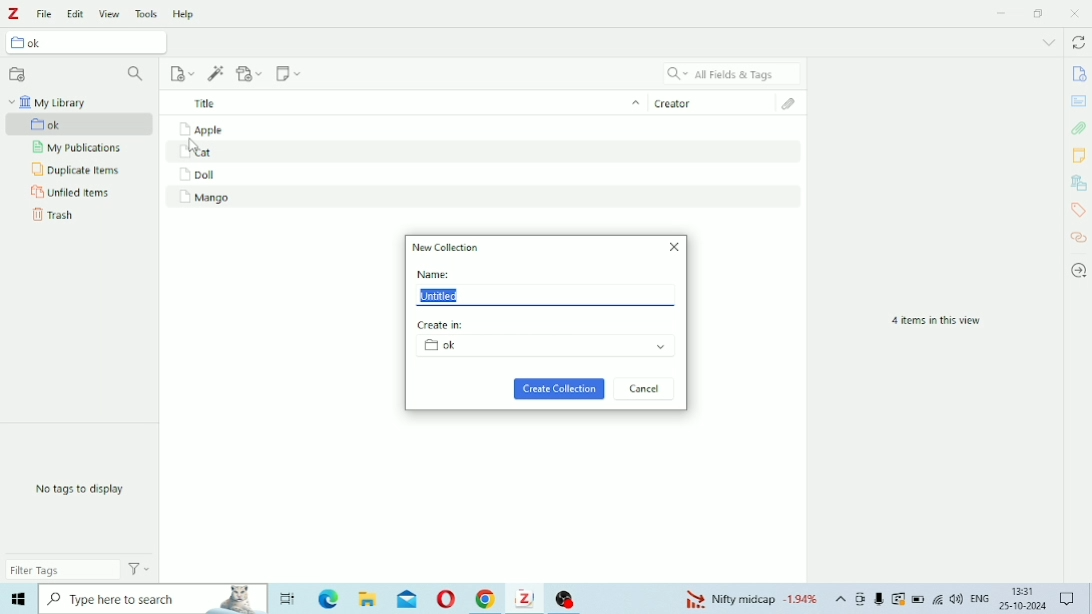 The width and height of the screenshot is (1092, 614). Describe the element at coordinates (251, 73) in the screenshot. I see `Add Attachment` at that location.